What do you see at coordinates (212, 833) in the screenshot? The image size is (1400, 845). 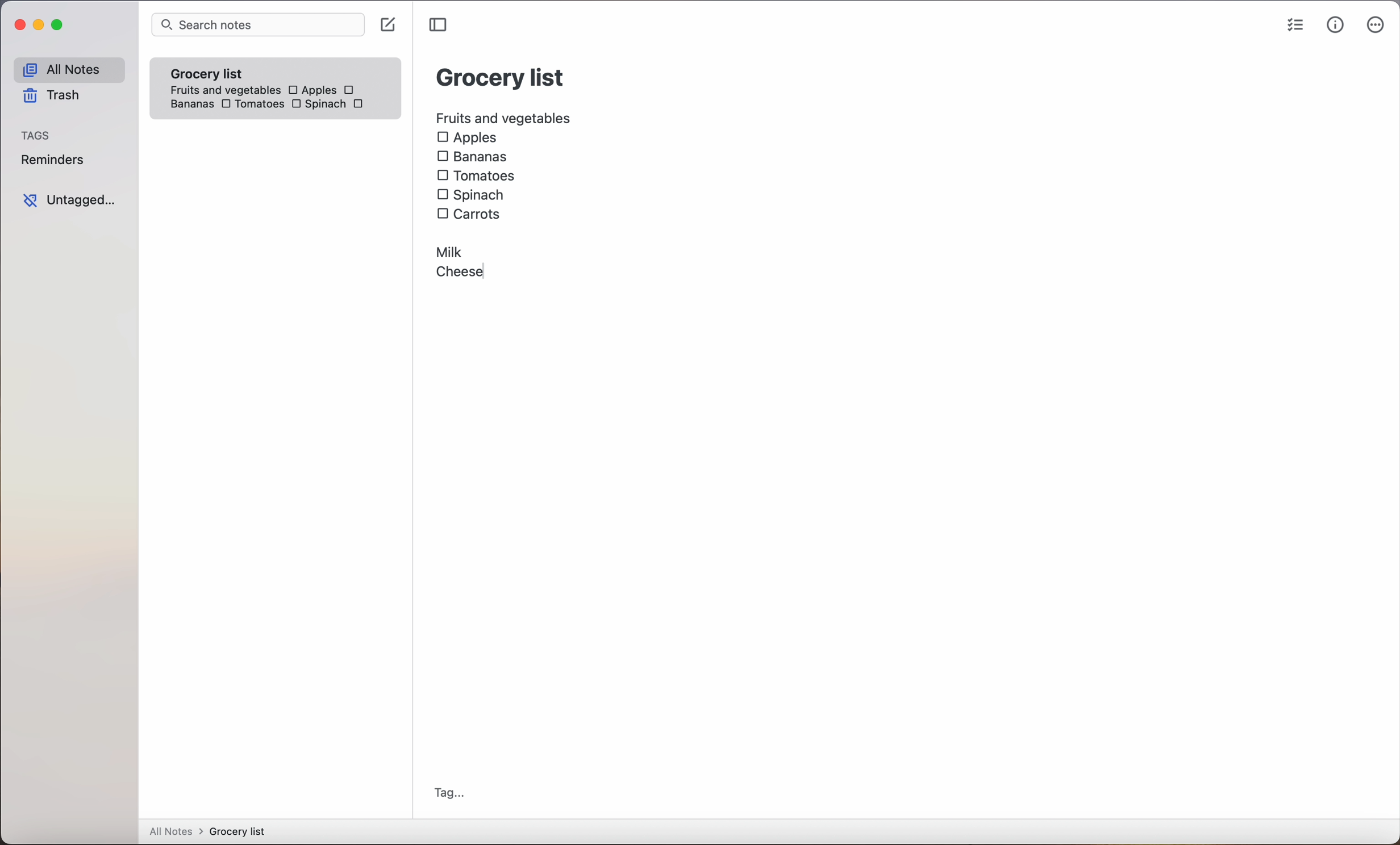 I see `all notes > grocery list` at bounding box center [212, 833].